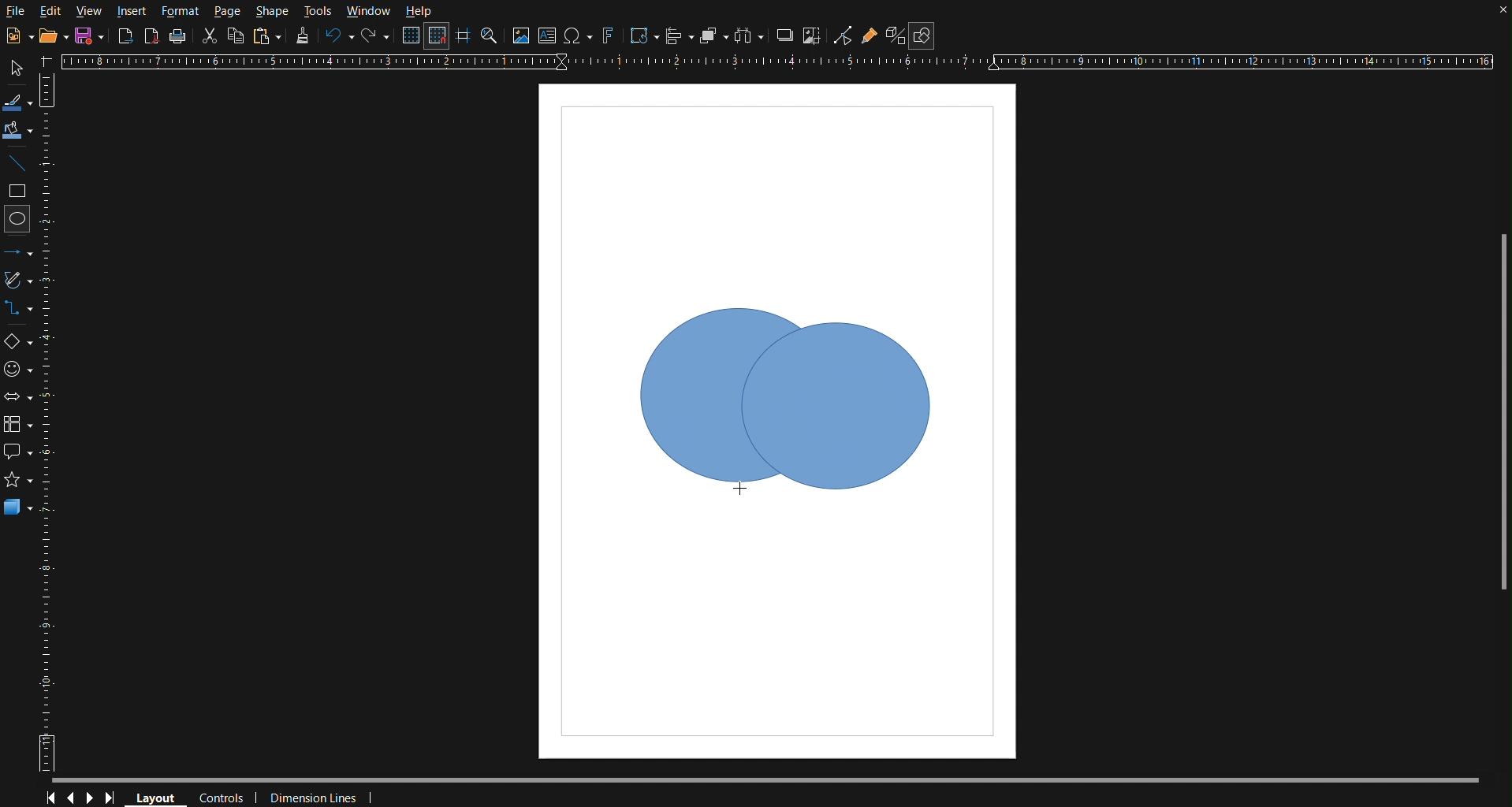  What do you see at coordinates (82, 796) in the screenshot?
I see `Controls` at bounding box center [82, 796].